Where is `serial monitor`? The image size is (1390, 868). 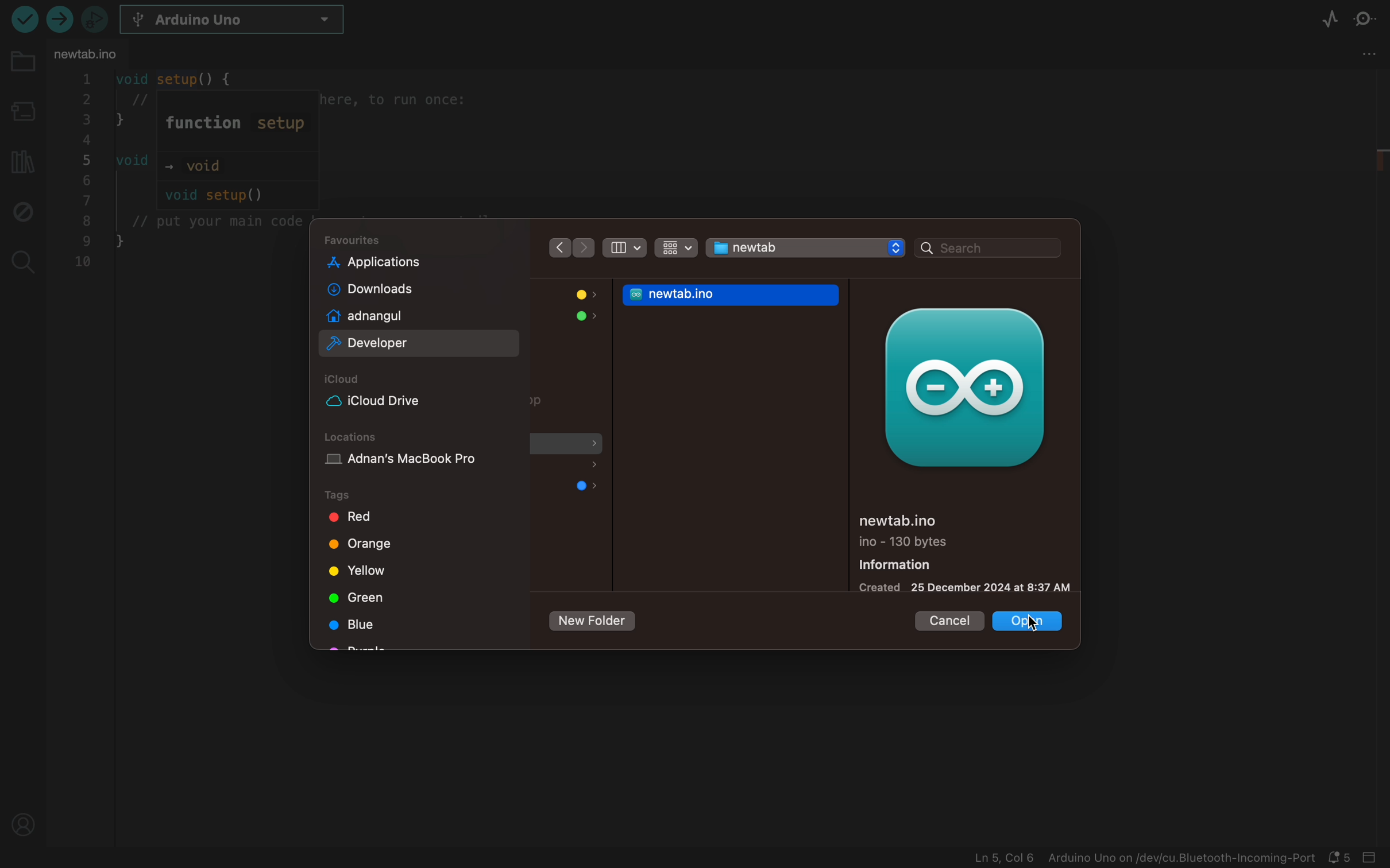
serial monitor is located at coordinates (1370, 20).